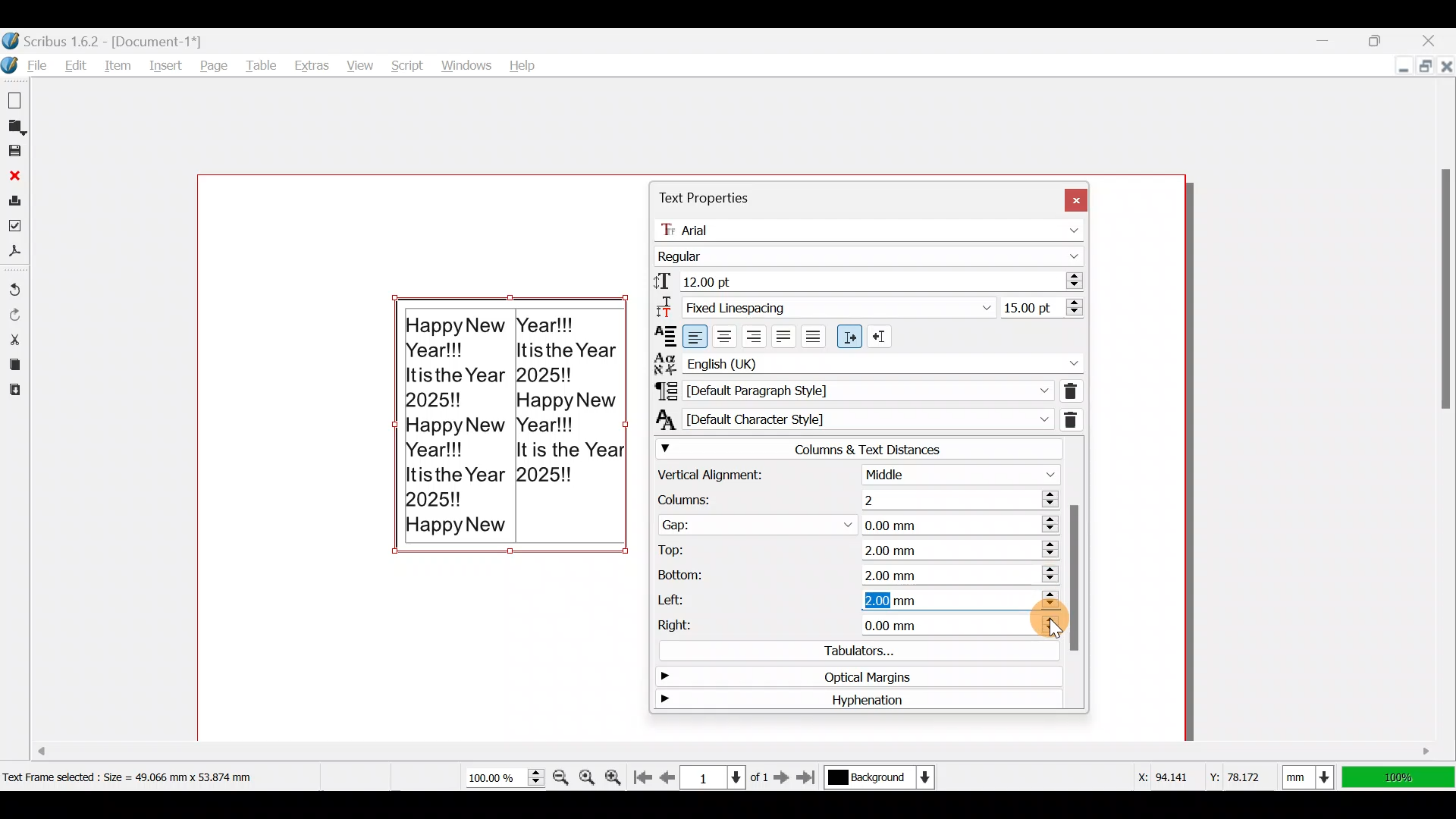  I want to click on Line spacing, so click(1042, 306).